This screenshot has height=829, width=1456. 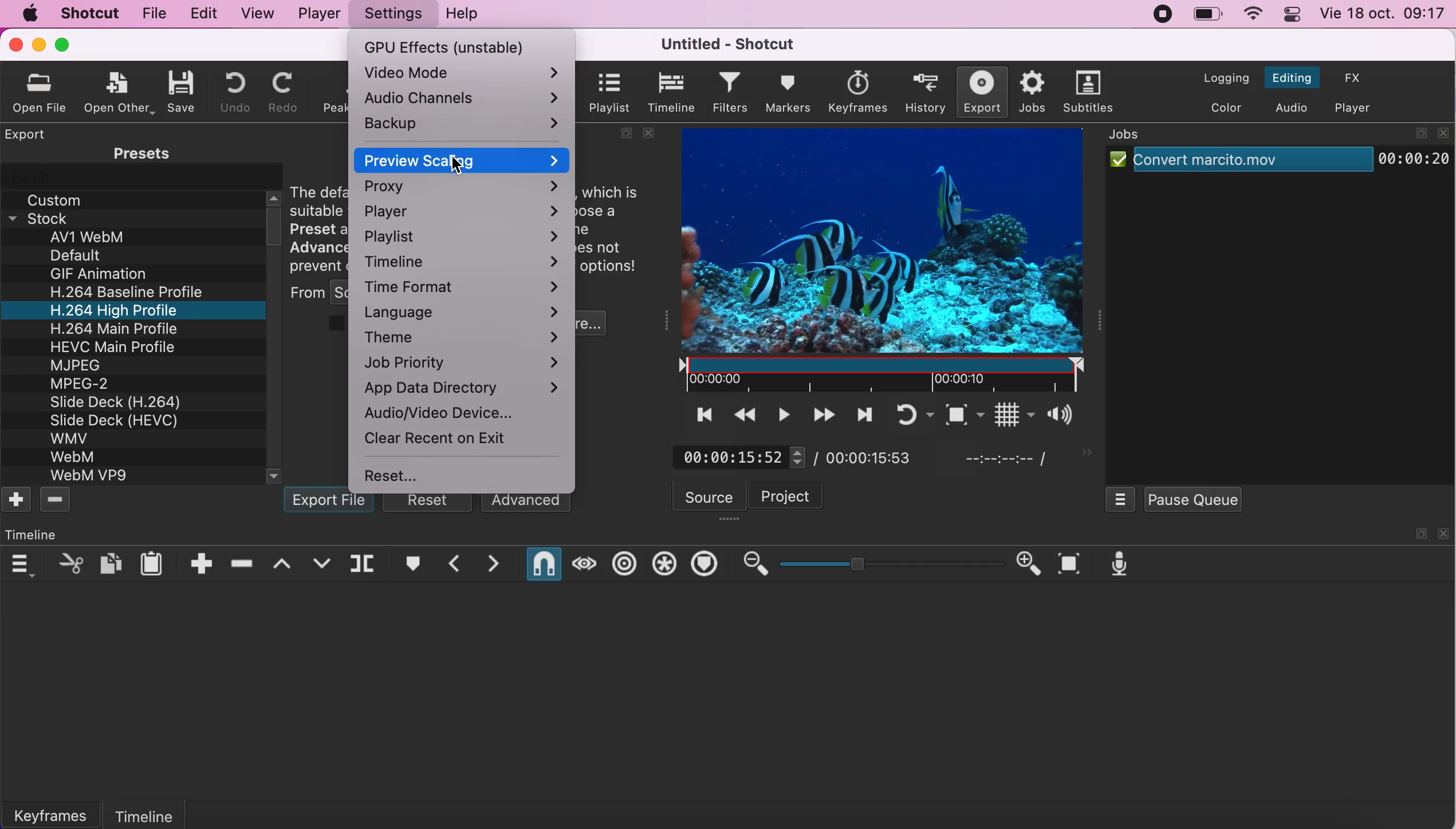 I want to click on WebM VP9, so click(x=91, y=476).